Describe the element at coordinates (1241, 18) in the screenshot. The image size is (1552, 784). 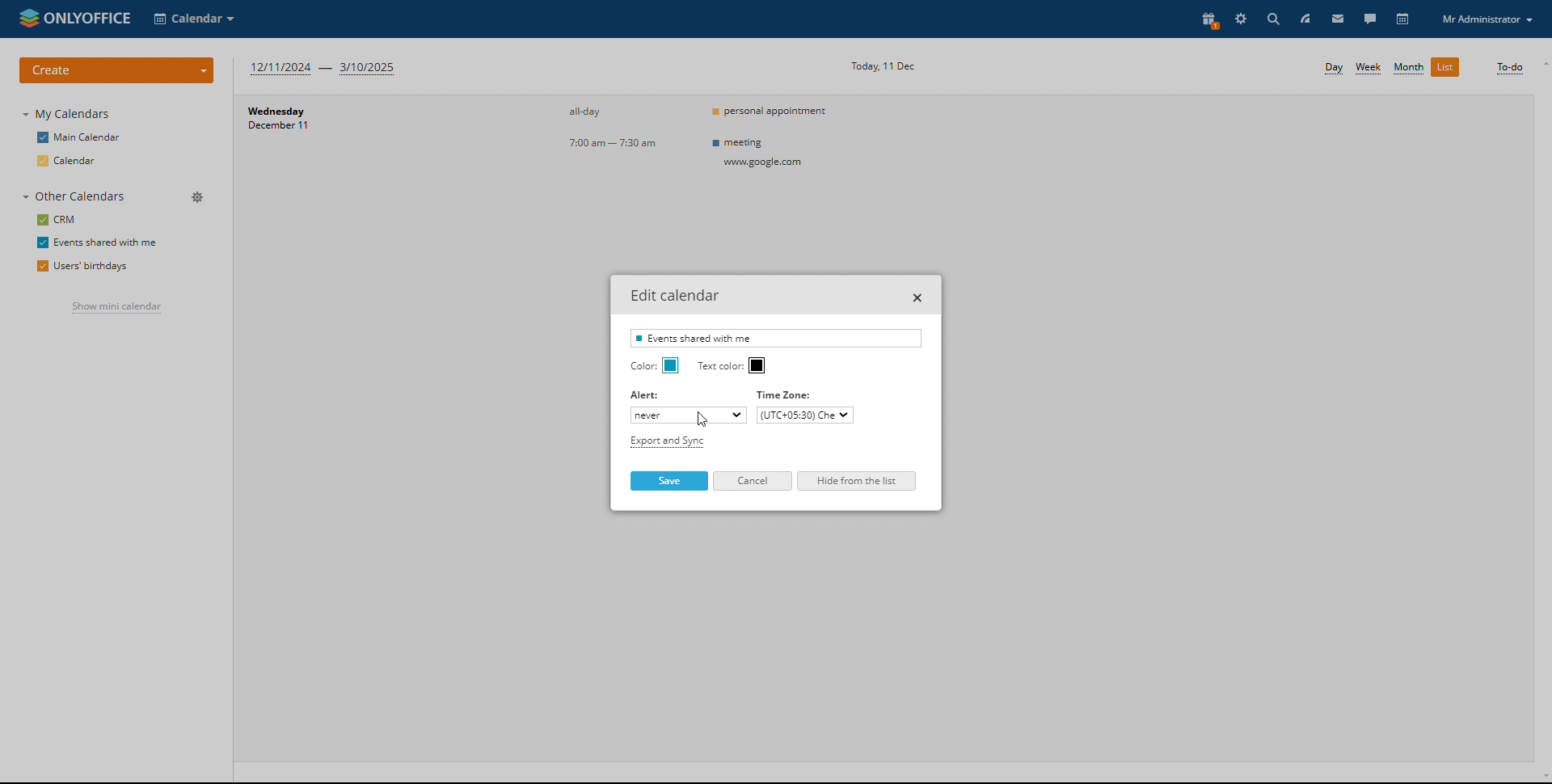
I see `settings` at that location.